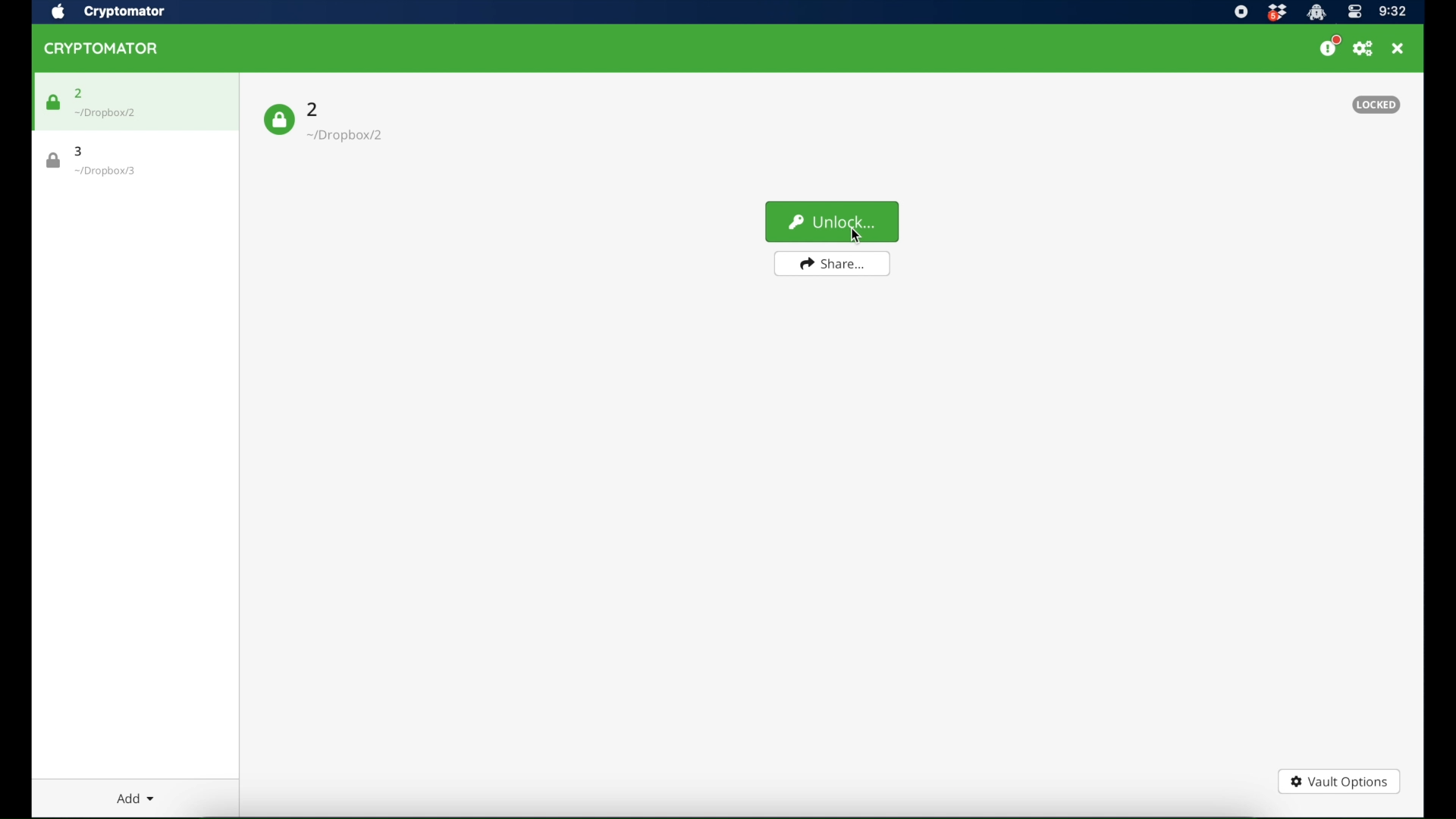 The height and width of the screenshot is (819, 1456). I want to click on vault location, so click(106, 113).